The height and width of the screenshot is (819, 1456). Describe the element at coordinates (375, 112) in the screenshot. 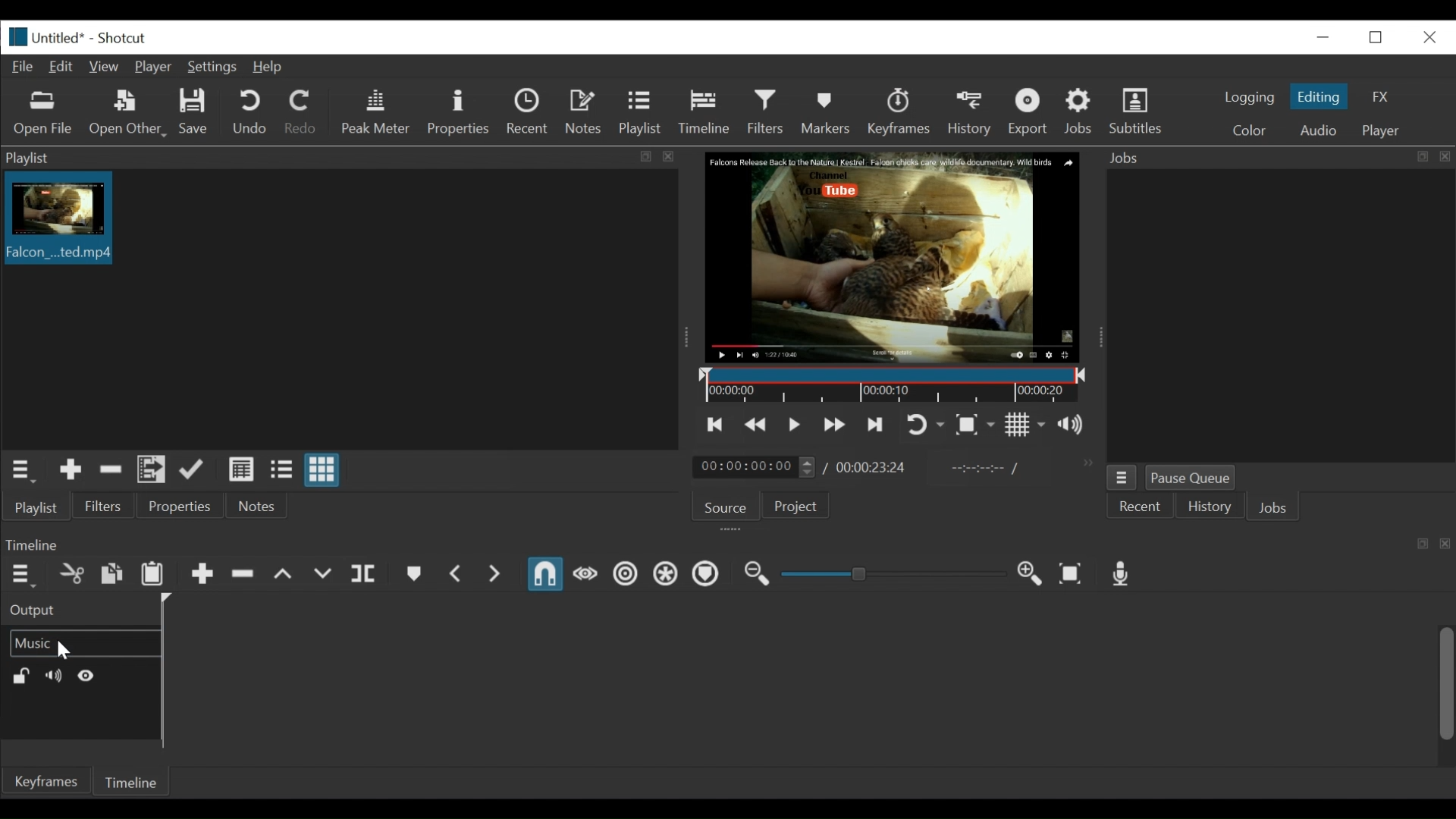

I see `Peak Meter` at that location.